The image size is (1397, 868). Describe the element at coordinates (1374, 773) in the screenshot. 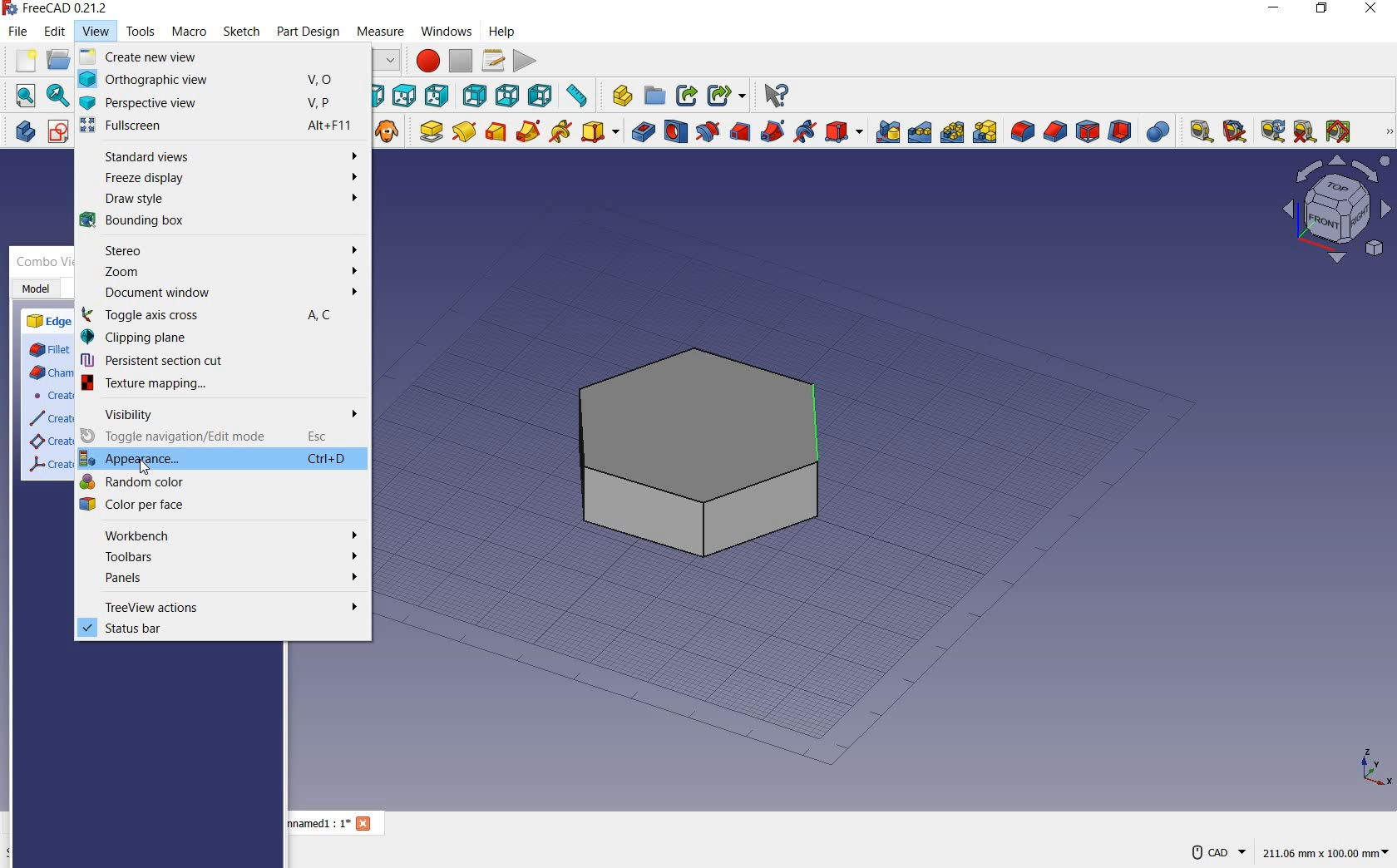

I see `x, y, z points` at that location.